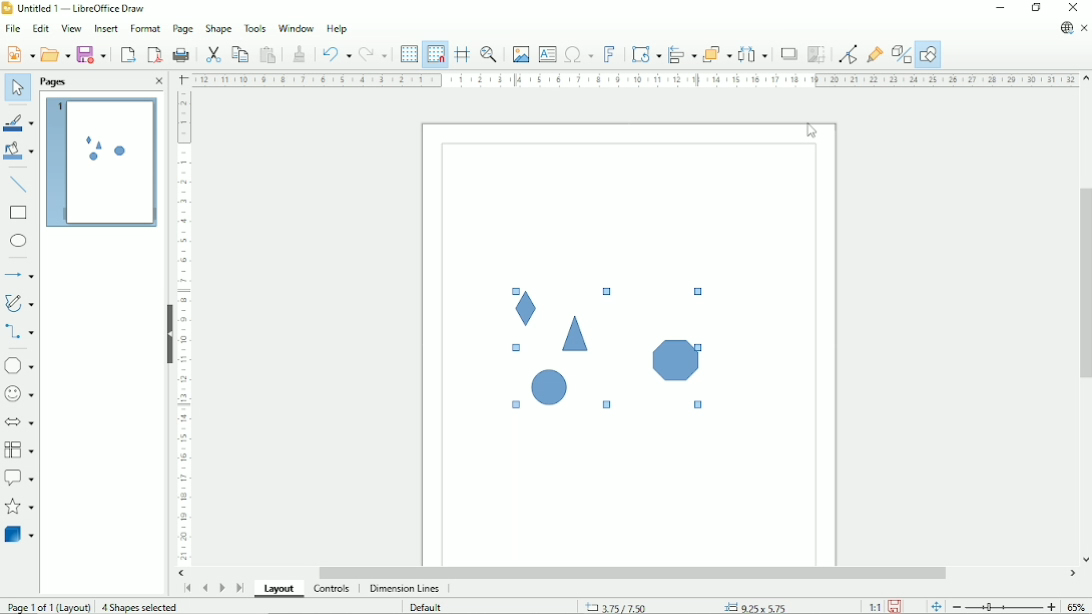 Image resolution: width=1092 pixels, height=614 pixels. What do you see at coordinates (634, 79) in the screenshot?
I see `Horizontal scale` at bounding box center [634, 79].